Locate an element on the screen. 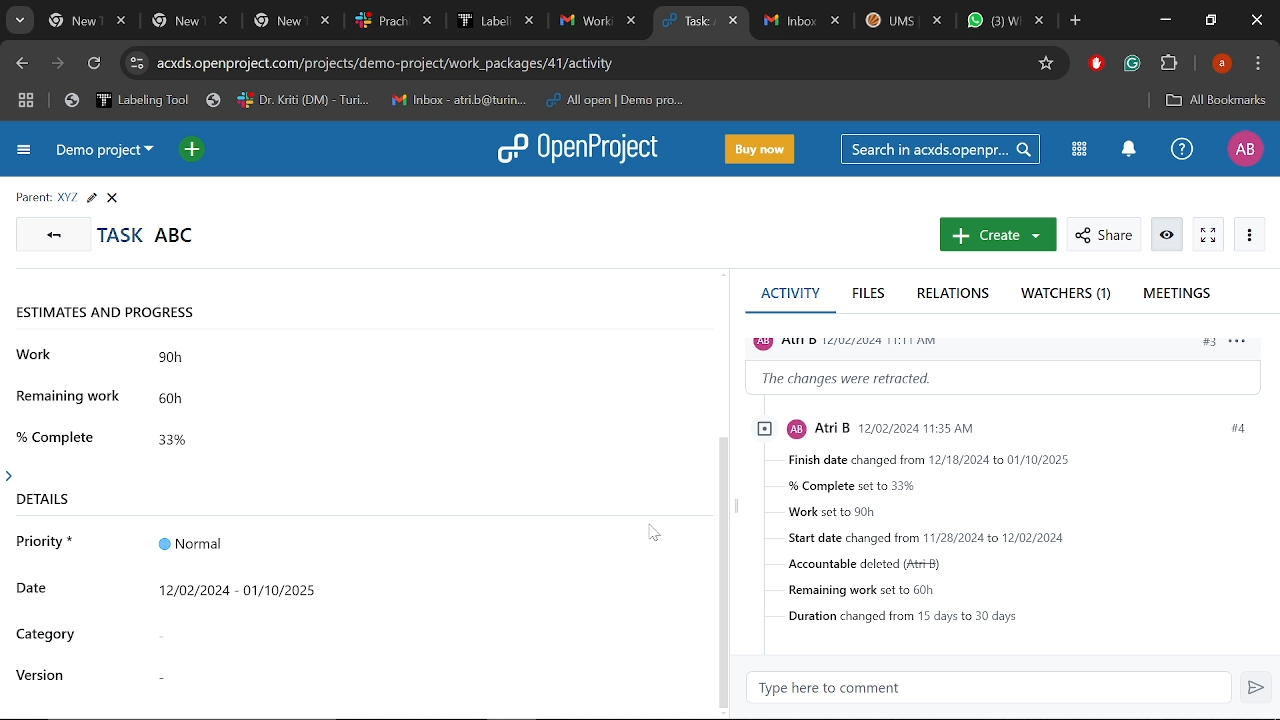 The image size is (1280, 720). Restore down is located at coordinates (1212, 20).